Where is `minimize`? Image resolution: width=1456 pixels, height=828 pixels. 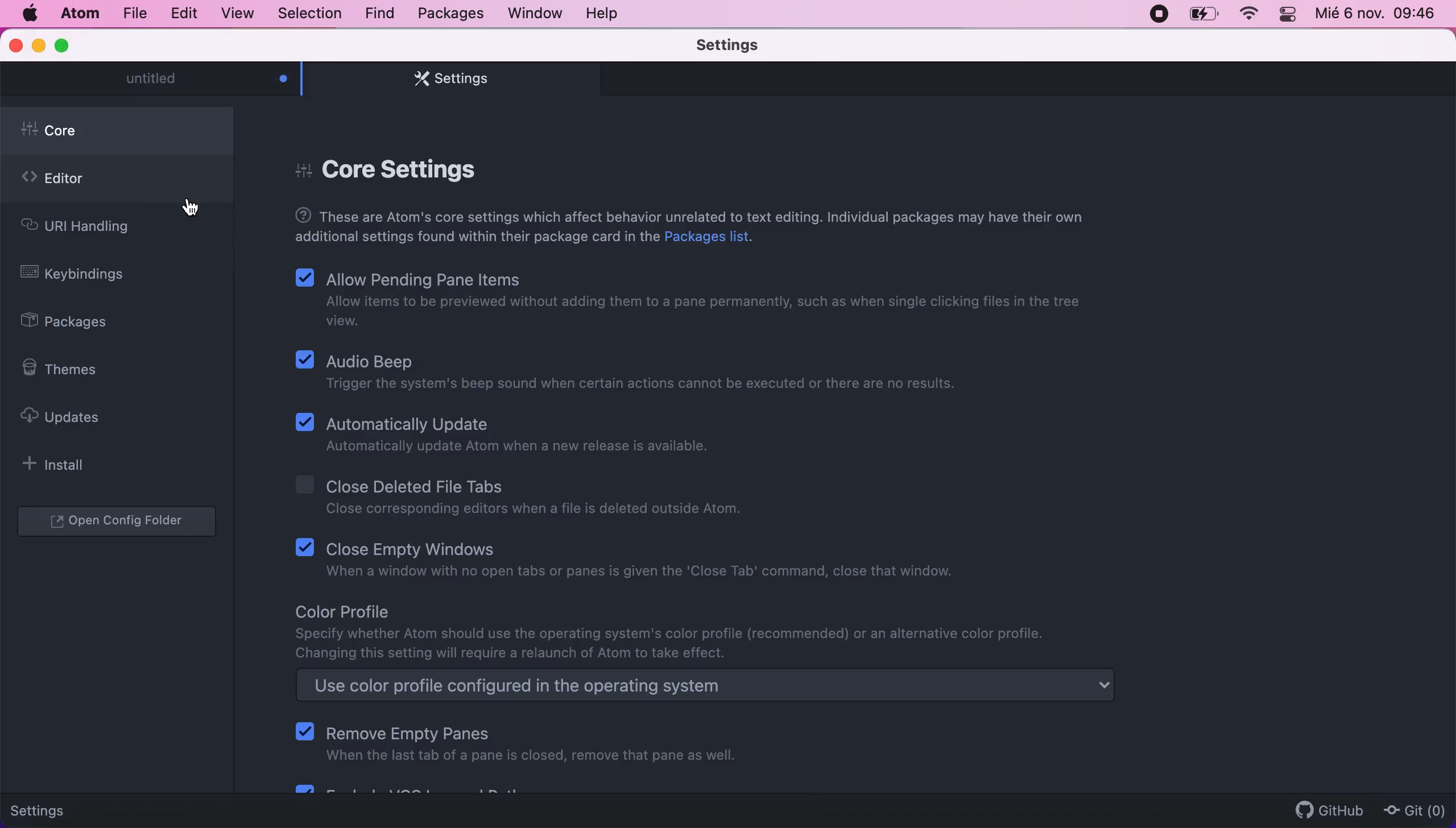 minimize is located at coordinates (39, 44).